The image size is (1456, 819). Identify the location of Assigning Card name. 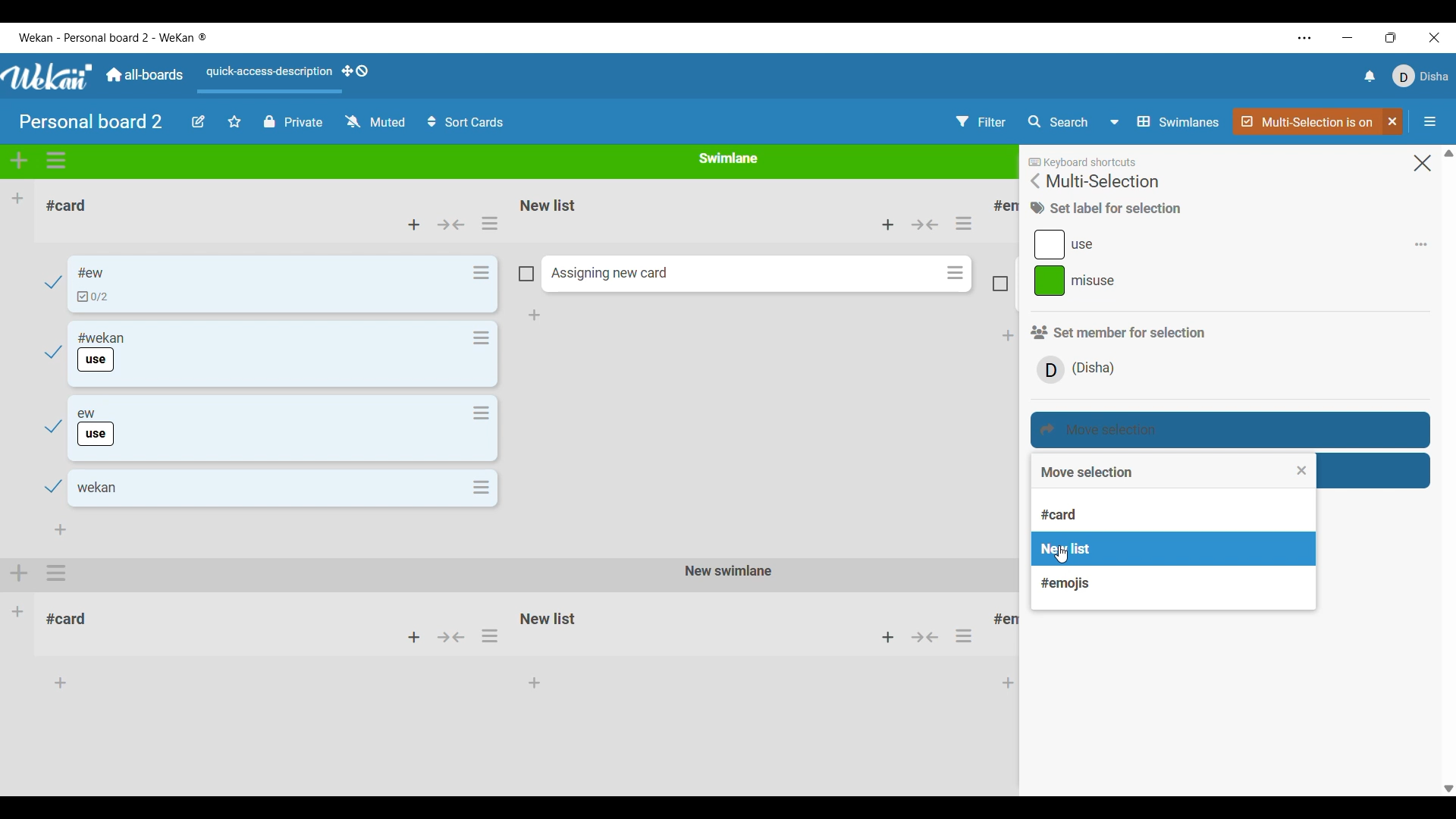
(617, 273).